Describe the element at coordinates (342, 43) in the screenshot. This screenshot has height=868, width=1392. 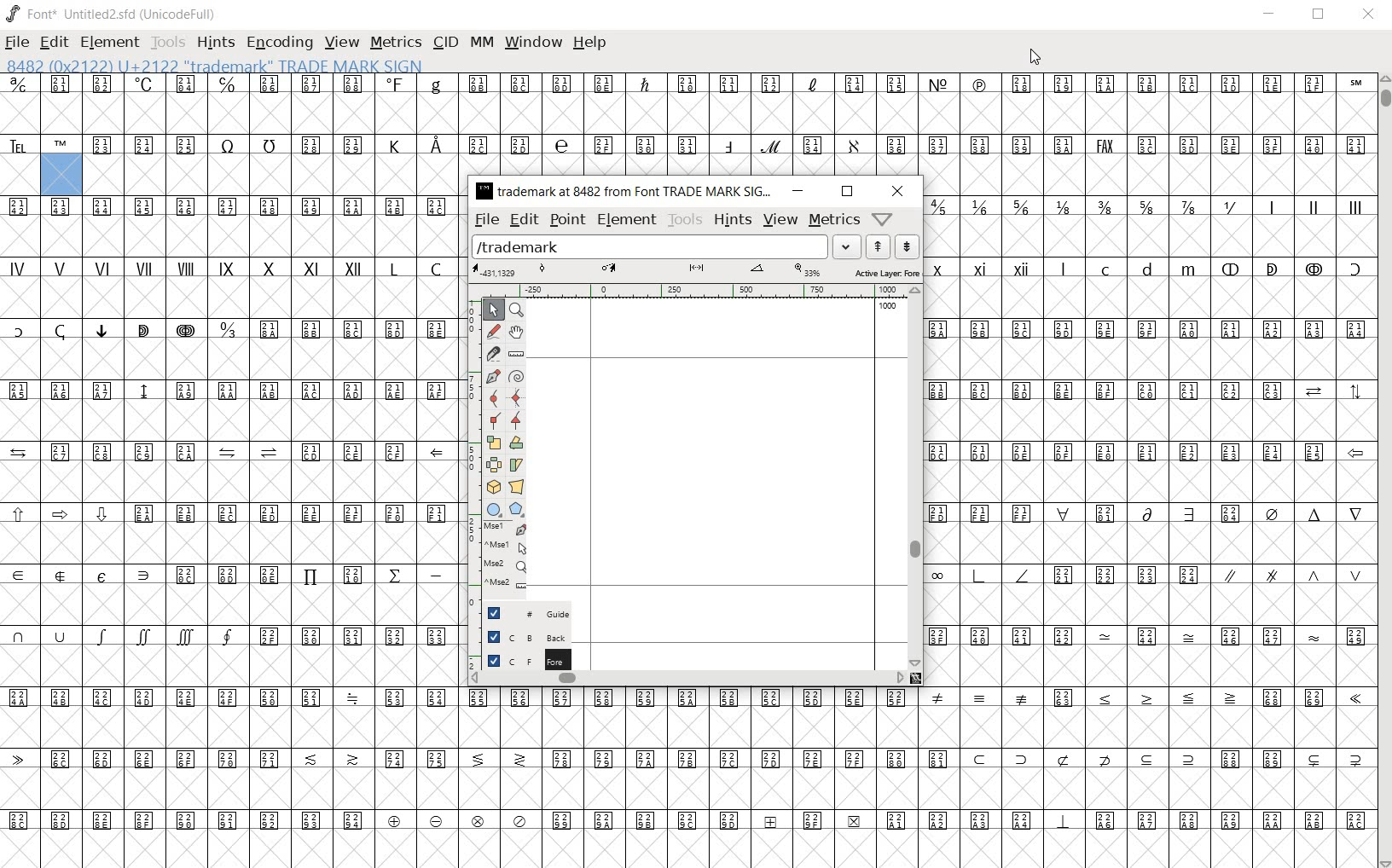
I see `VIEW` at that location.